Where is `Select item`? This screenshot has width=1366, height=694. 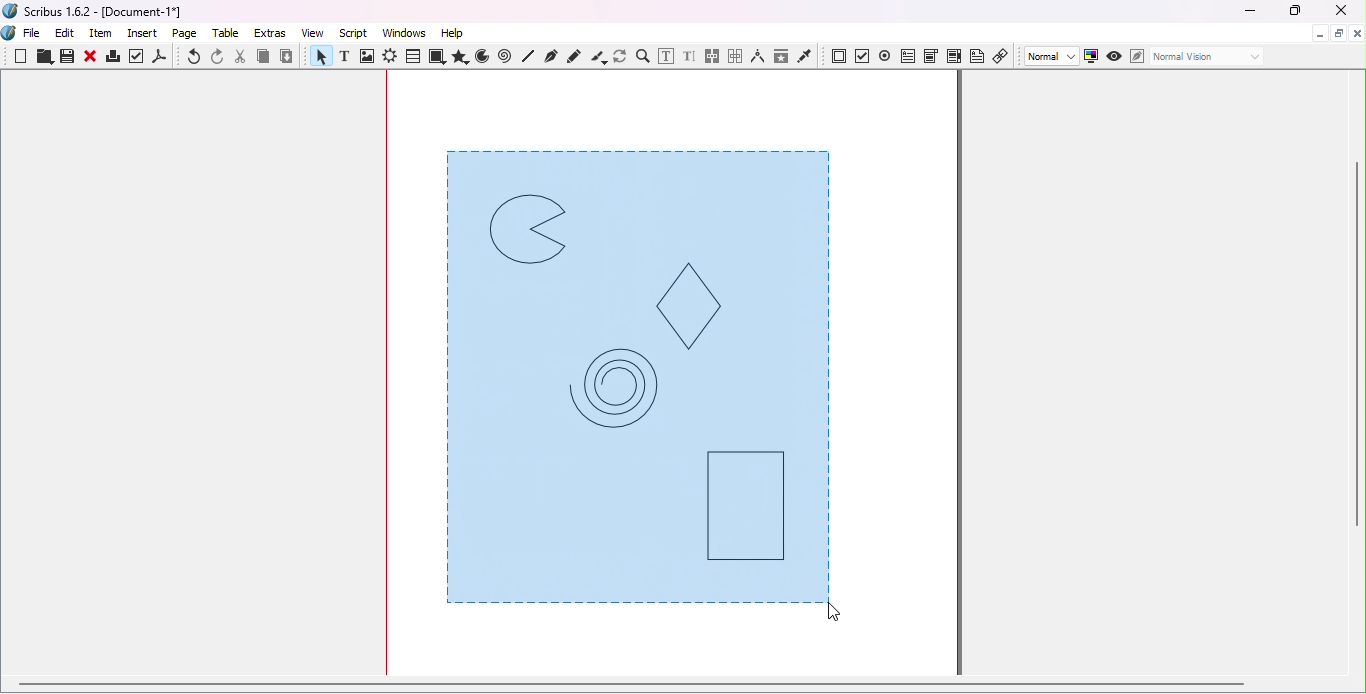 Select item is located at coordinates (319, 58).